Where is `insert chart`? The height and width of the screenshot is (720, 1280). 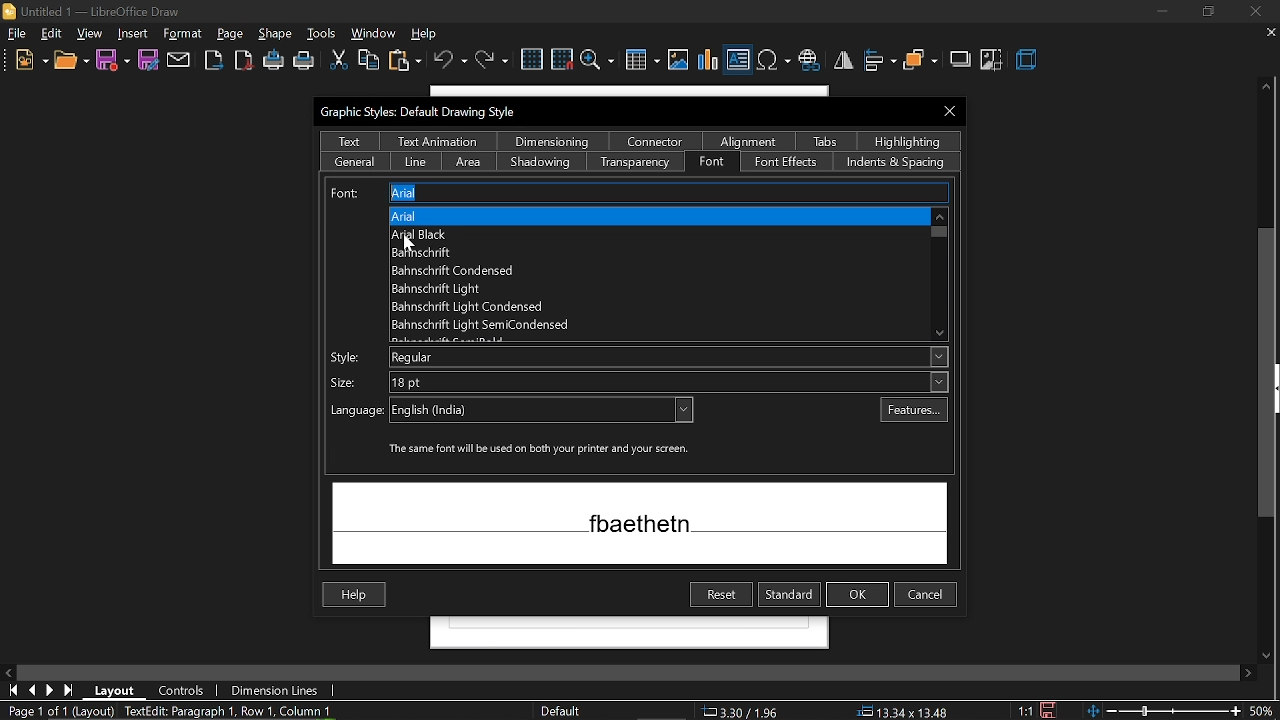 insert chart is located at coordinates (709, 61).